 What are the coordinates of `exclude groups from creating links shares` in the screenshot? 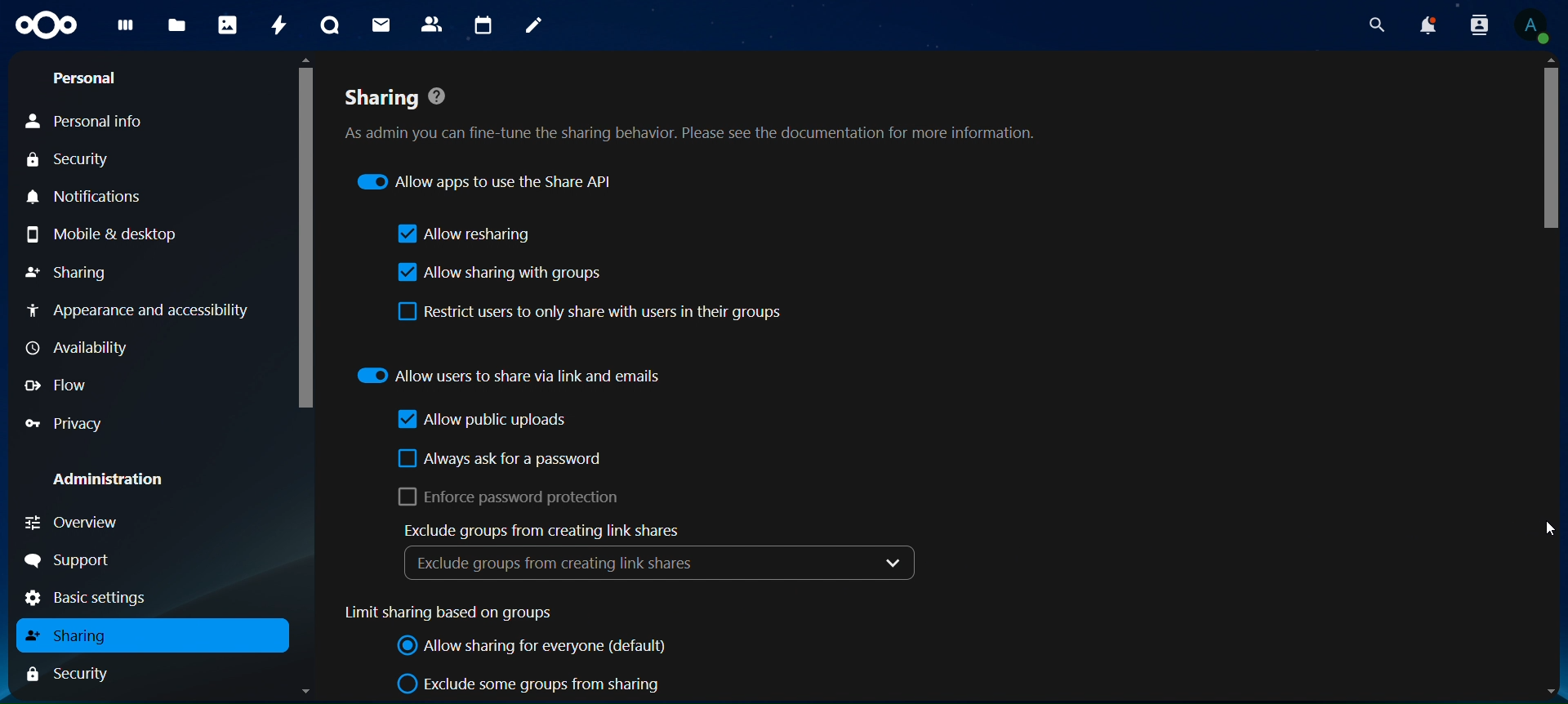 It's located at (657, 549).